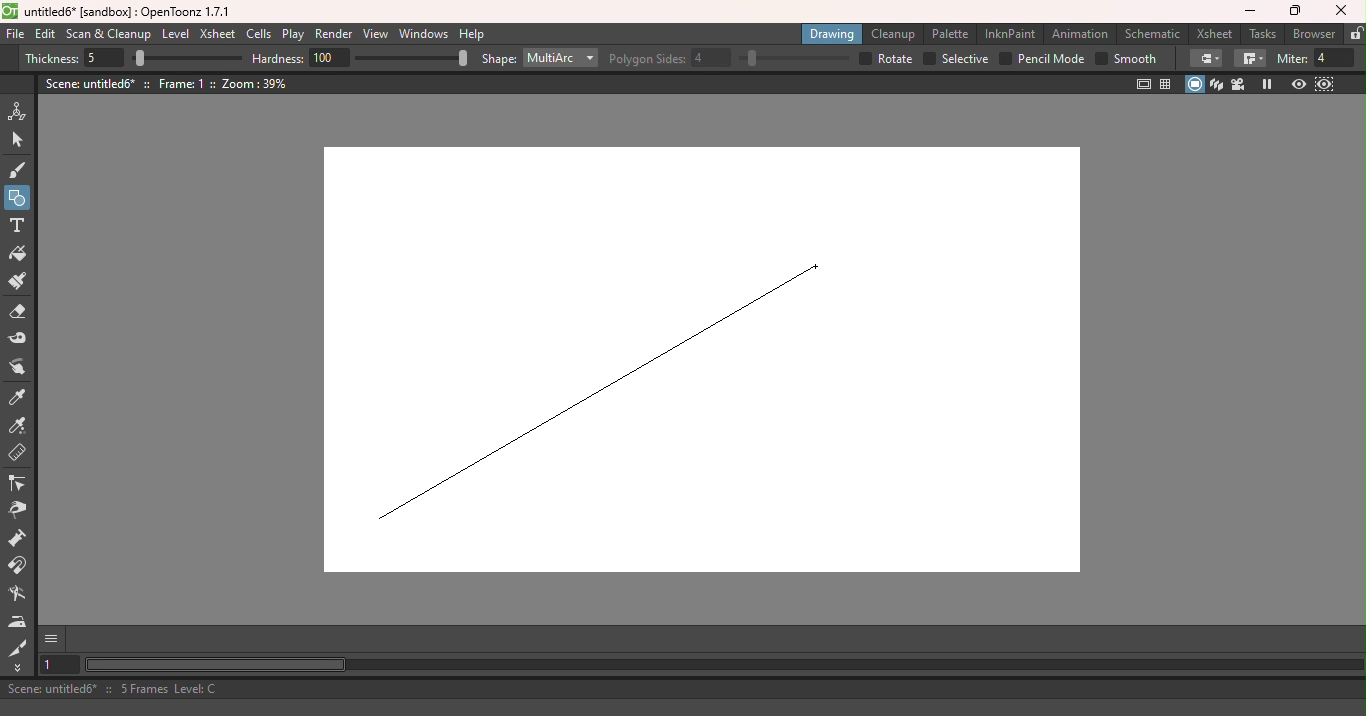 Image resolution: width=1366 pixels, height=716 pixels. Describe the element at coordinates (1316, 59) in the screenshot. I see `Miter` at that location.